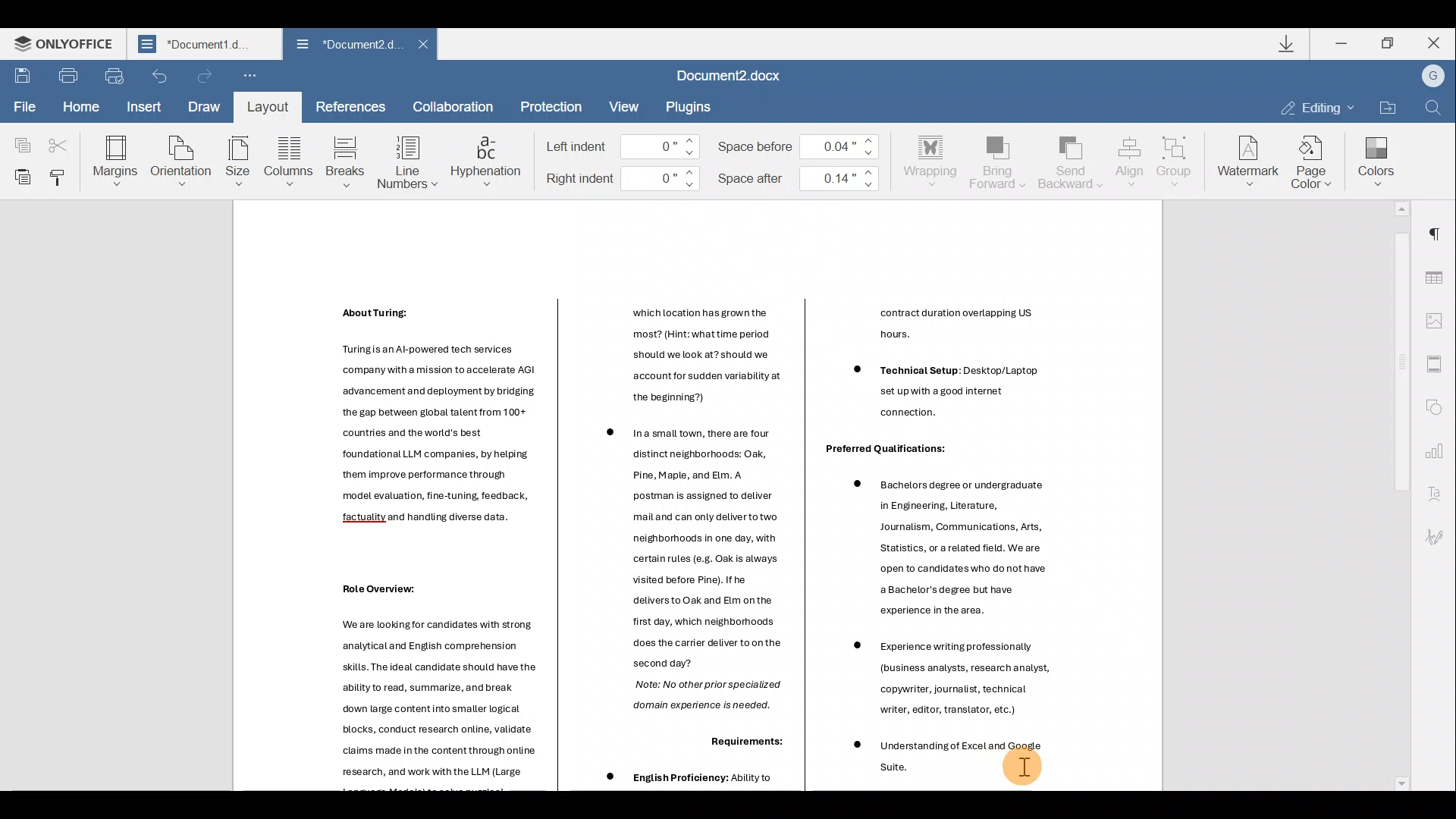  What do you see at coordinates (623, 147) in the screenshot?
I see `Left indent` at bounding box center [623, 147].